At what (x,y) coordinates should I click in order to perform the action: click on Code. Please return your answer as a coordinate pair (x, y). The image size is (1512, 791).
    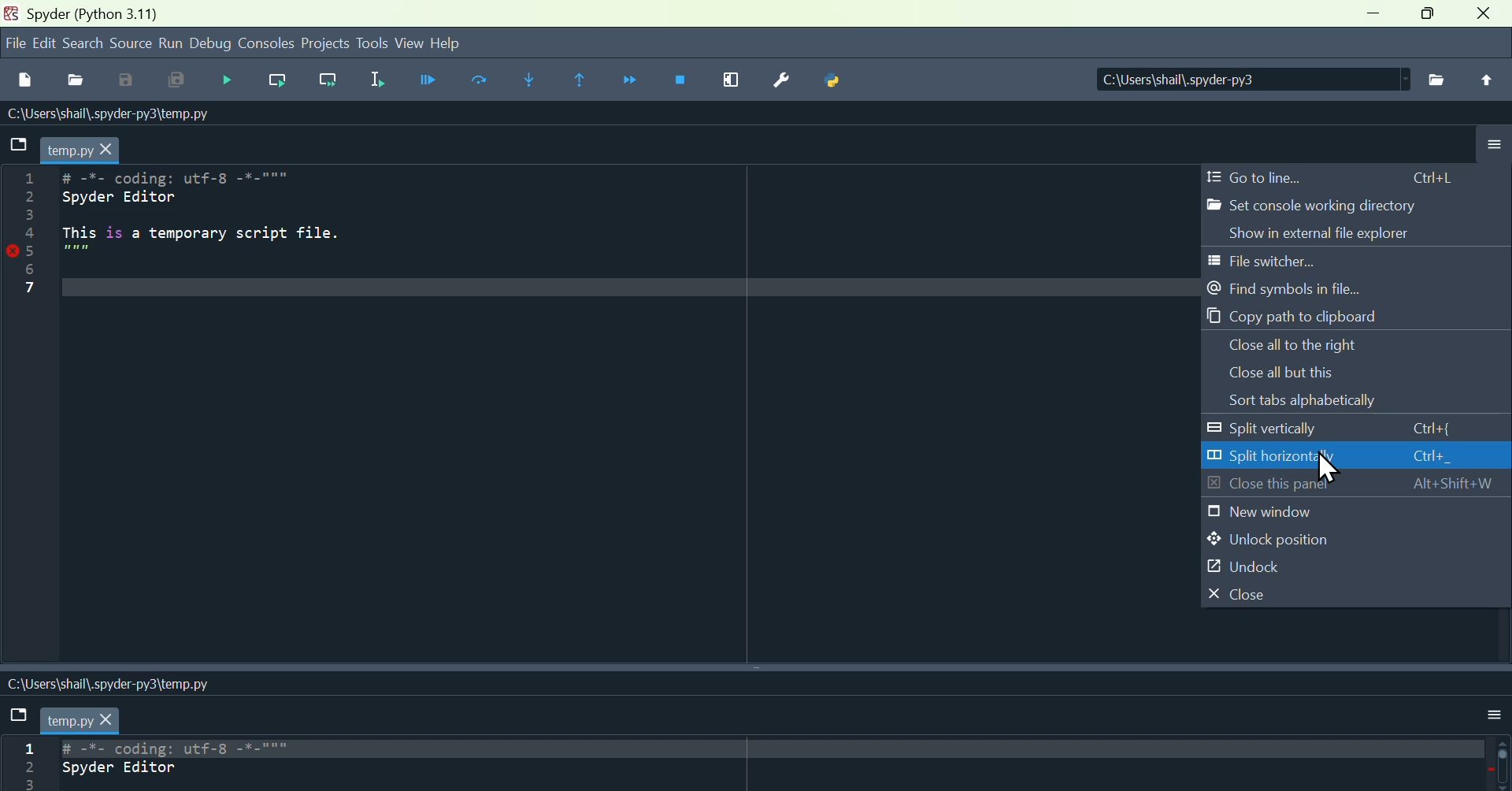
    Looking at the image, I should click on (150, 766).